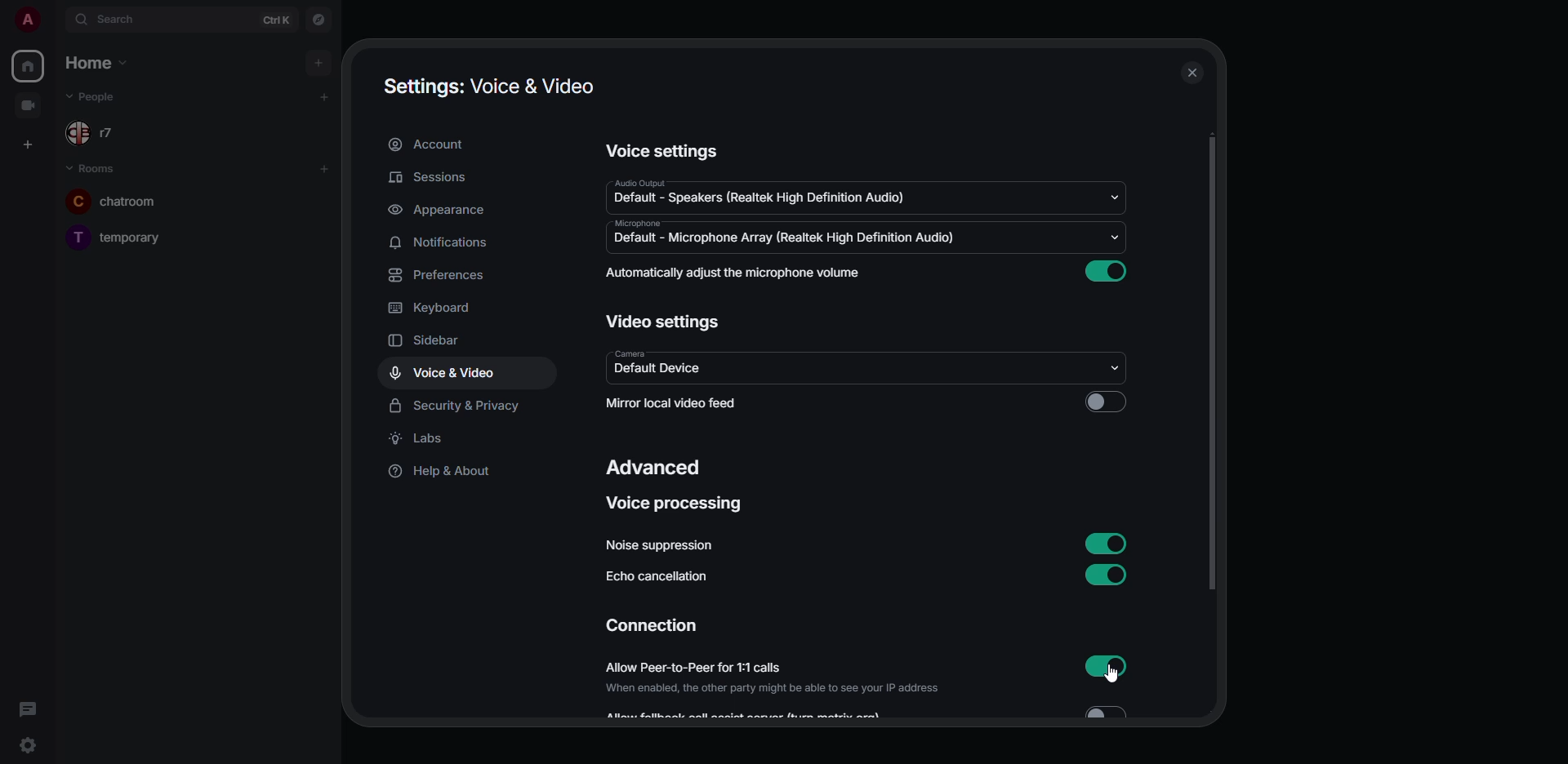  What do you see at coordinates (128, 201) in the screenshot?
I see `chatroom` at bounding box center [128, 201].